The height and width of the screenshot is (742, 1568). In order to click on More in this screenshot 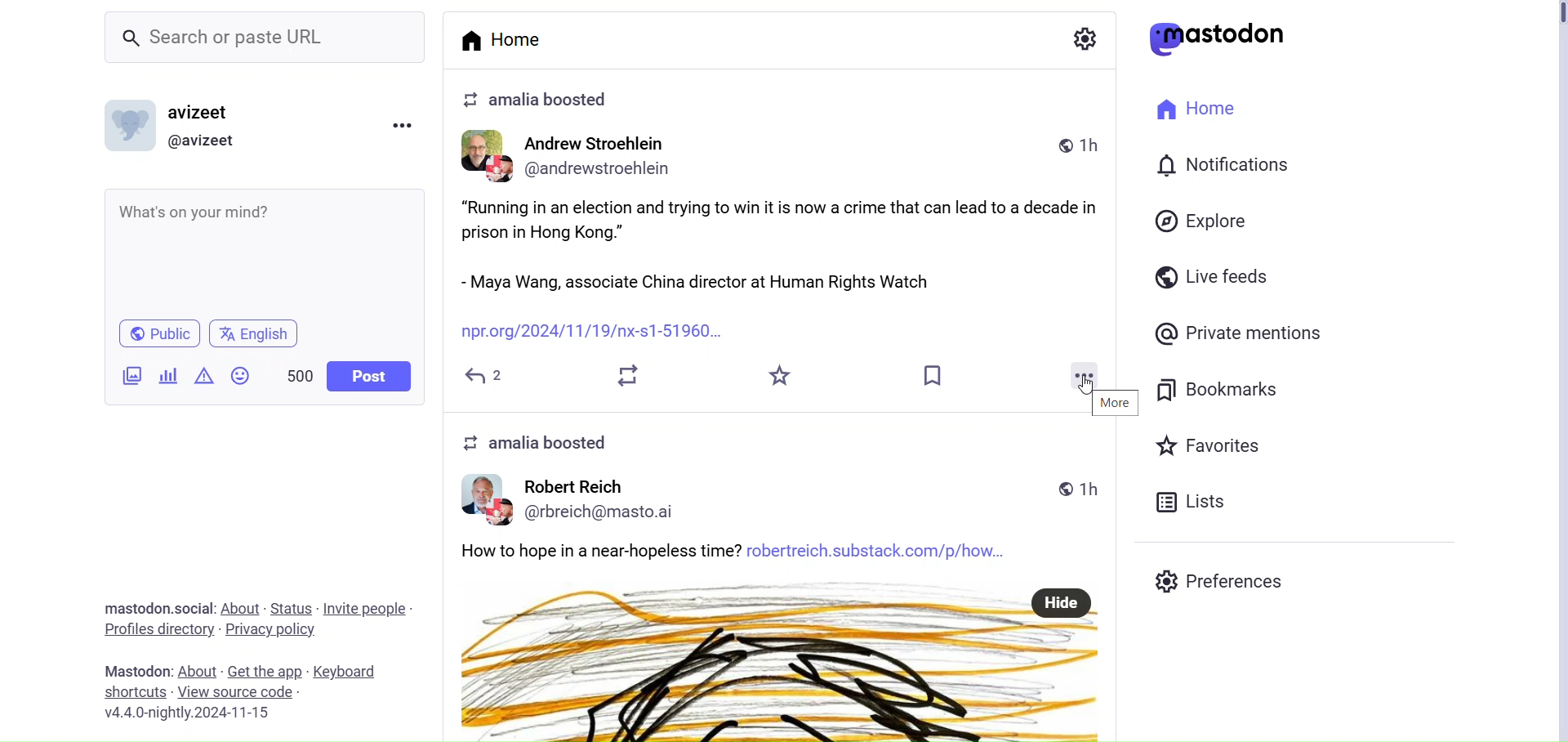, I will do `click(1114, 402)`.